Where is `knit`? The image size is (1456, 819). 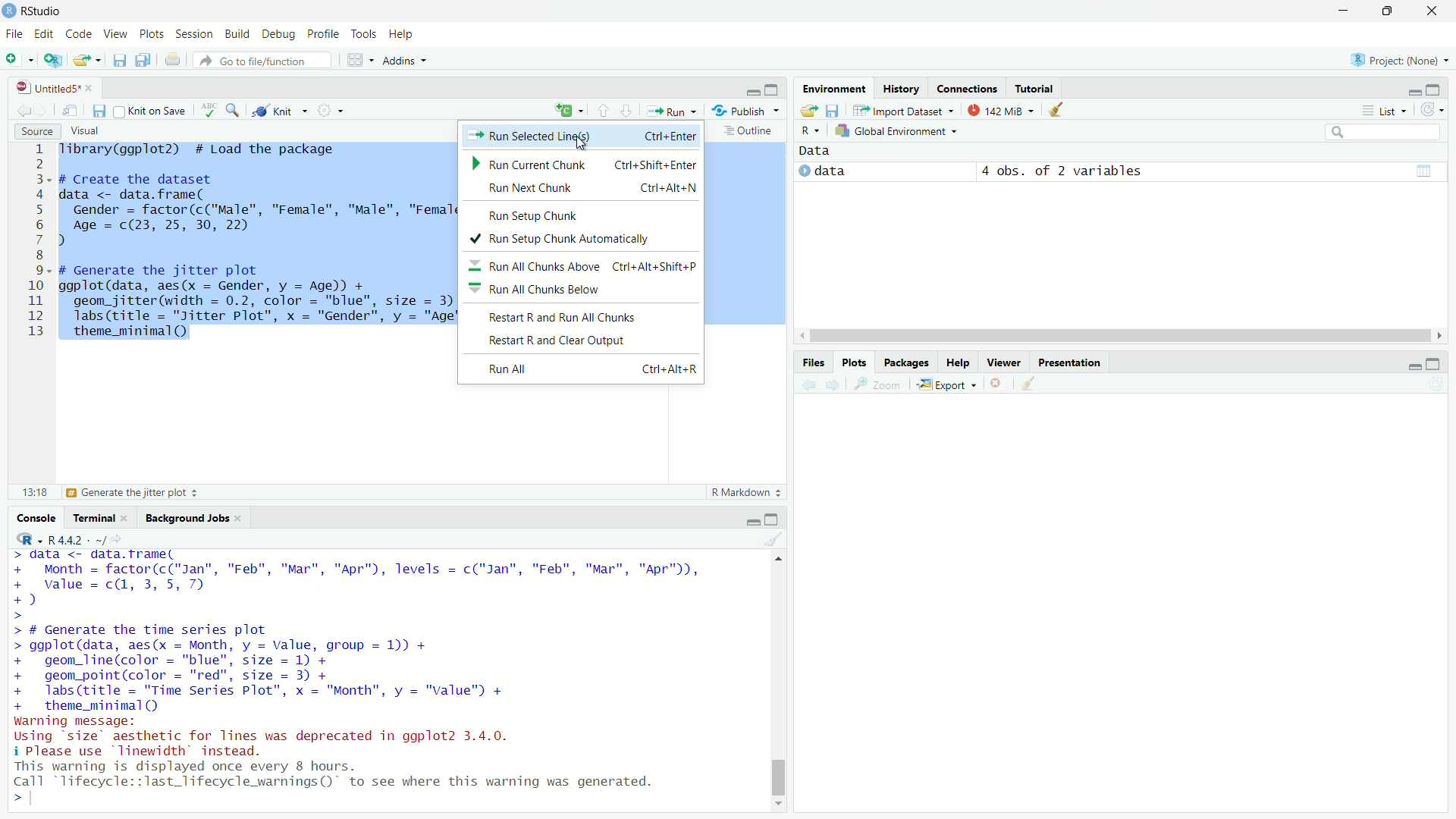 knit is located at coordinates (281, 111).